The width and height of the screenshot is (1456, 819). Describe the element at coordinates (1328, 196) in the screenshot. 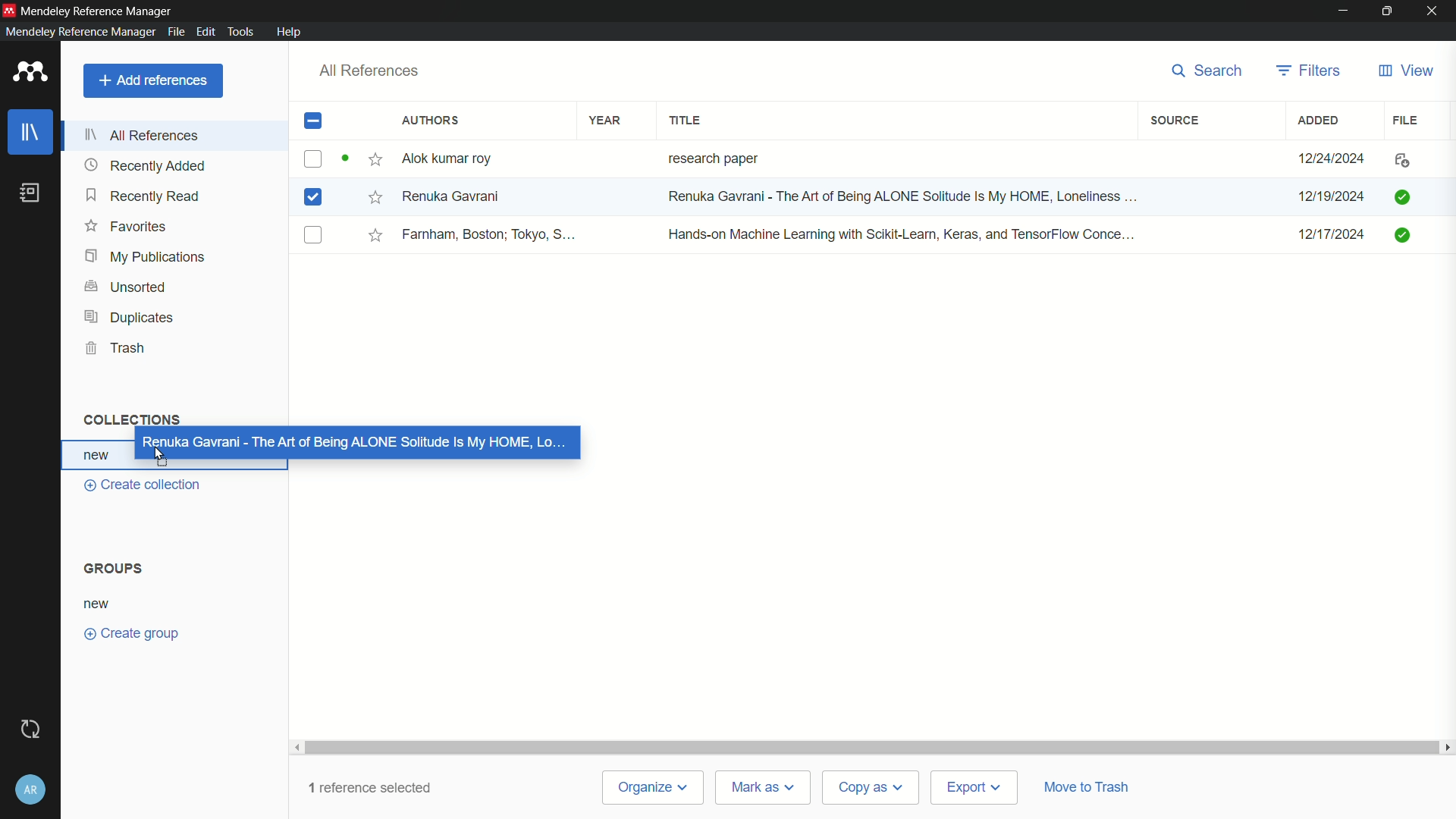

I see `12/19/2024` at that location.